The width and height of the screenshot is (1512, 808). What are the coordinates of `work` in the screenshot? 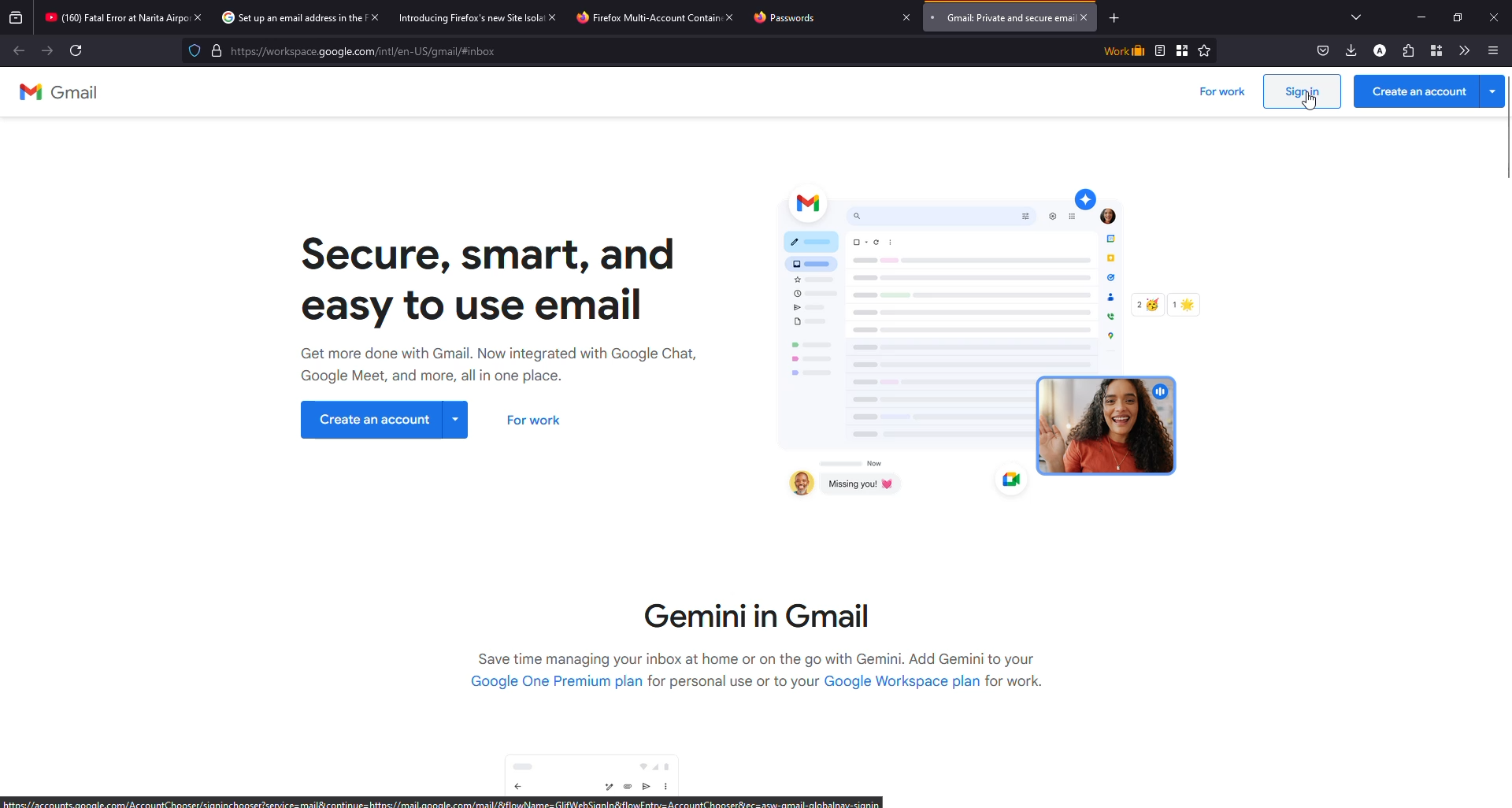 It's located at (1125, 50).